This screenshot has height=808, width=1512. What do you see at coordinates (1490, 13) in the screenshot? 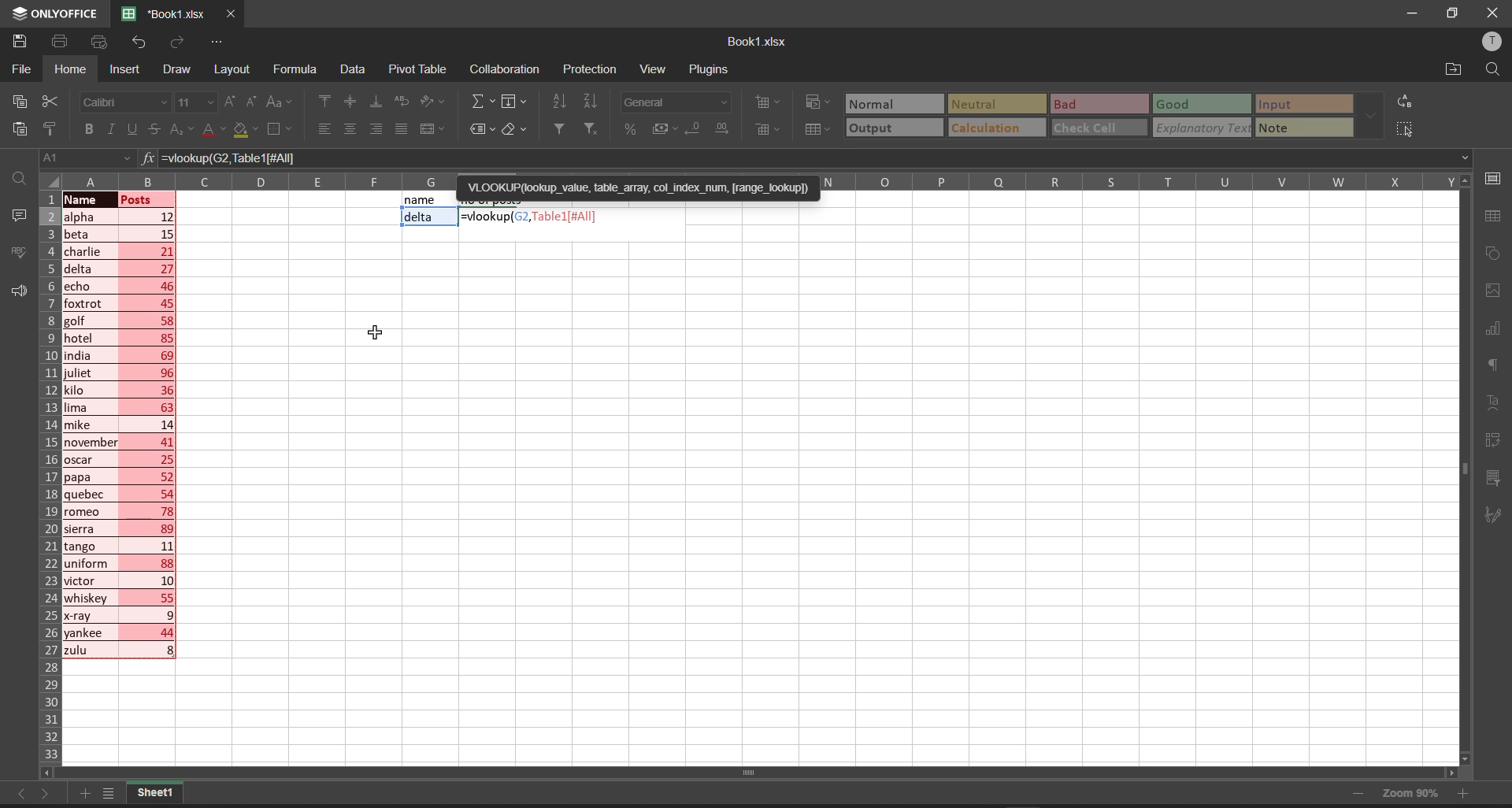
I see `close` at bounding box center [1490, 13].